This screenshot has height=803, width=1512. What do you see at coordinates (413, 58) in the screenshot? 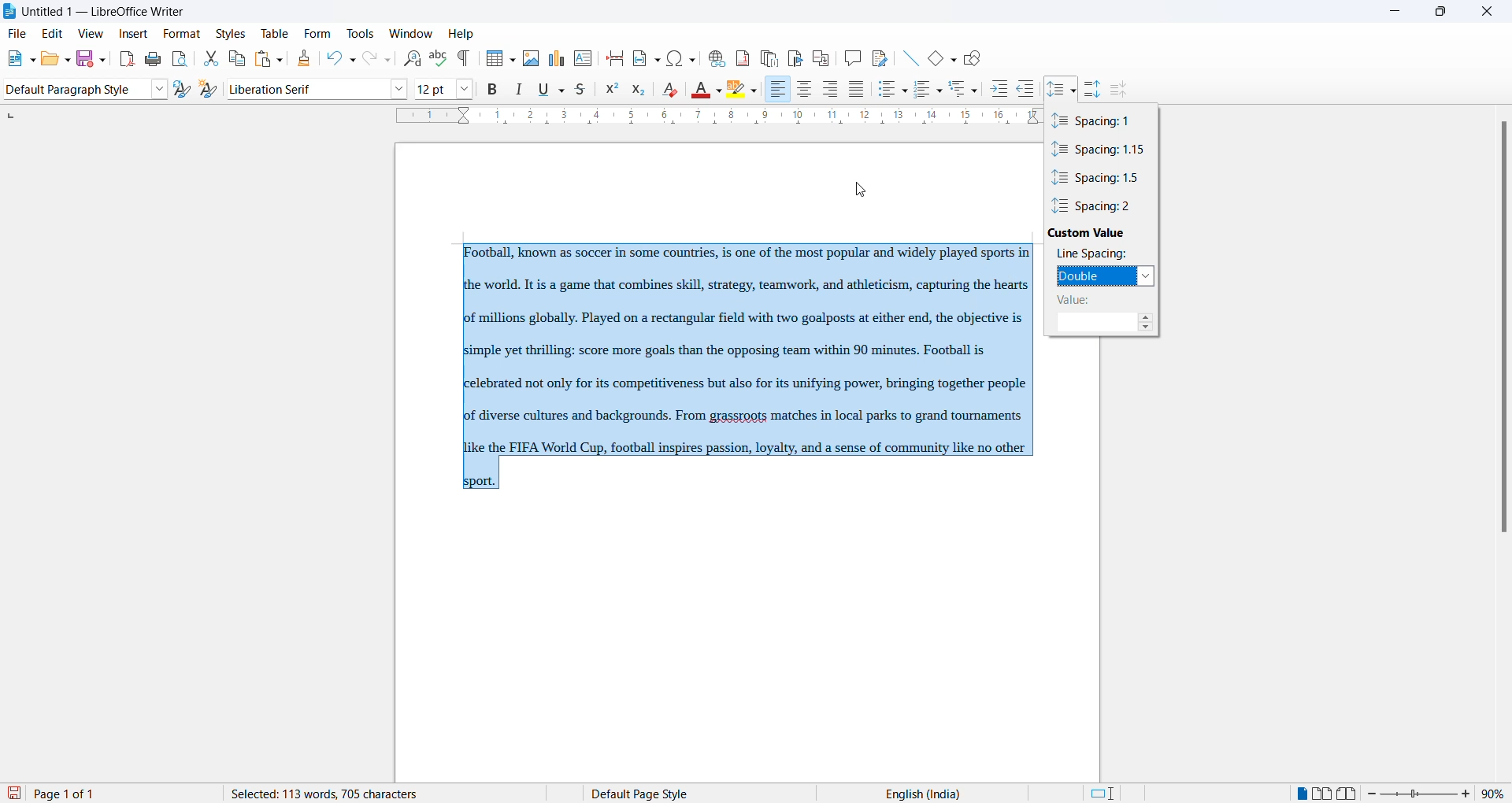
I see `find and replace` at bounding box center [413, 58].